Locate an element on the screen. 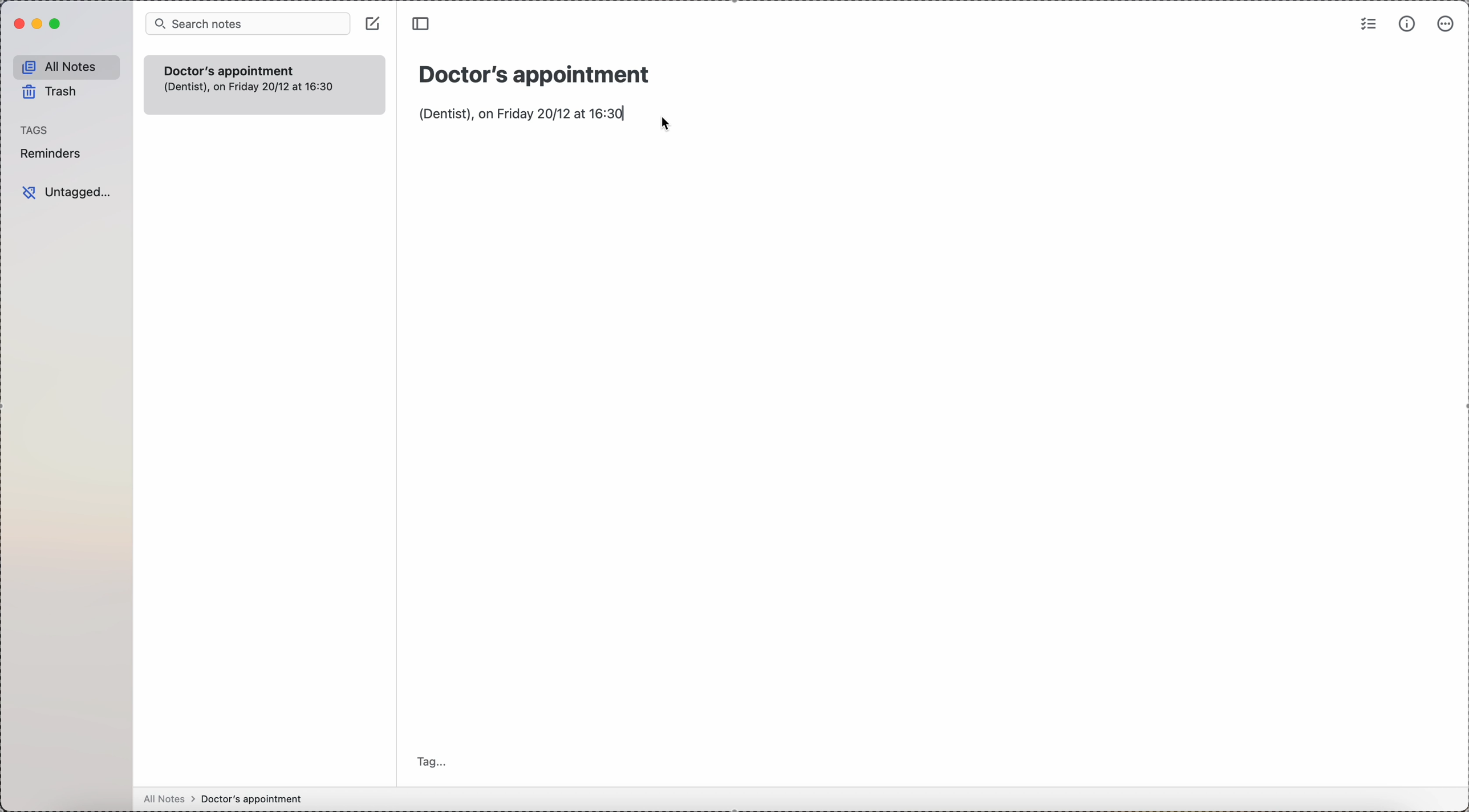 The height and width of the screenshot is (812, 1469). title: Doctor's appointment is located at coordinates (533, 72).